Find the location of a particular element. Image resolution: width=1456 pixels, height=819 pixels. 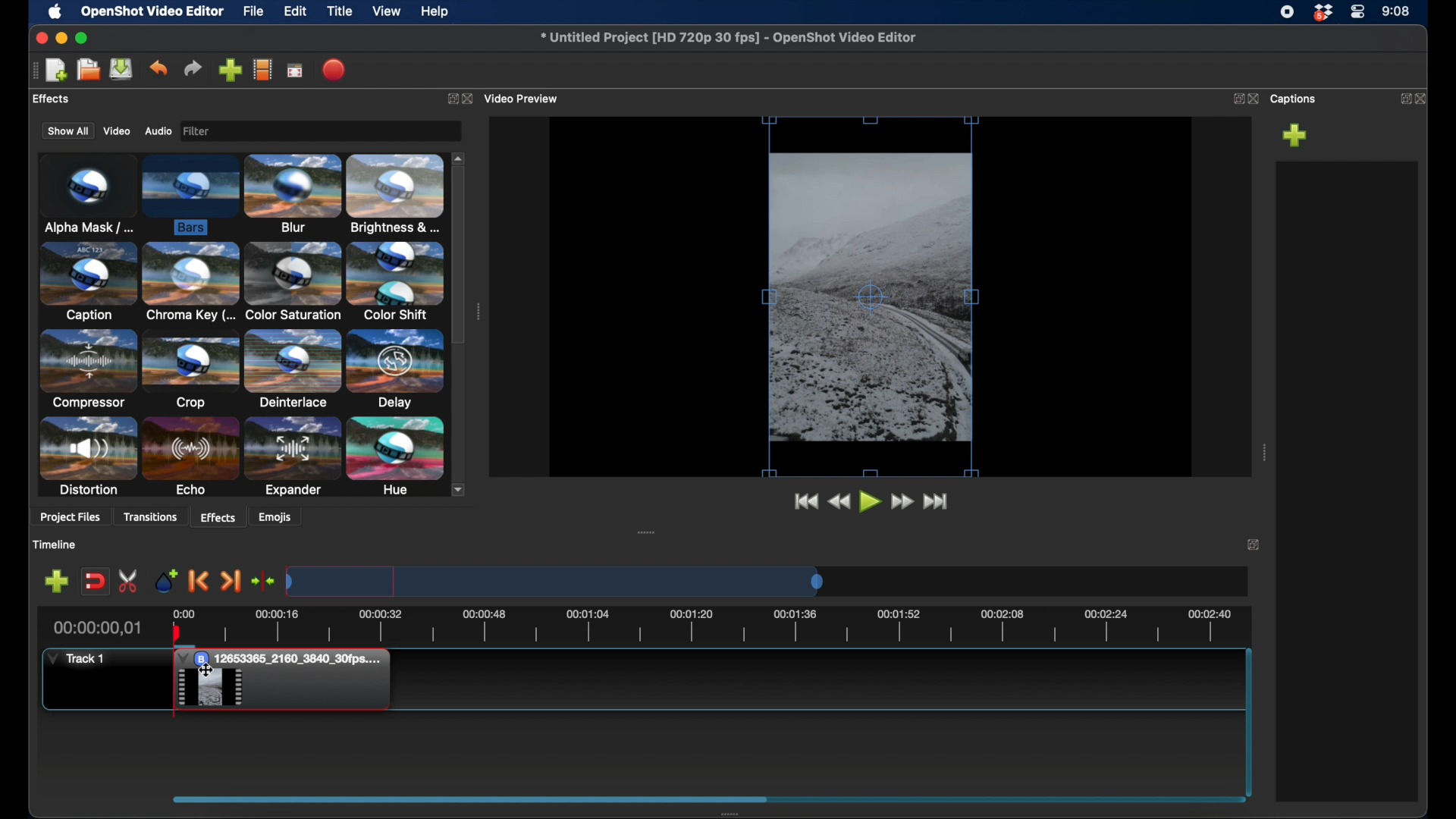

expand is located at coordinates (450, 98).